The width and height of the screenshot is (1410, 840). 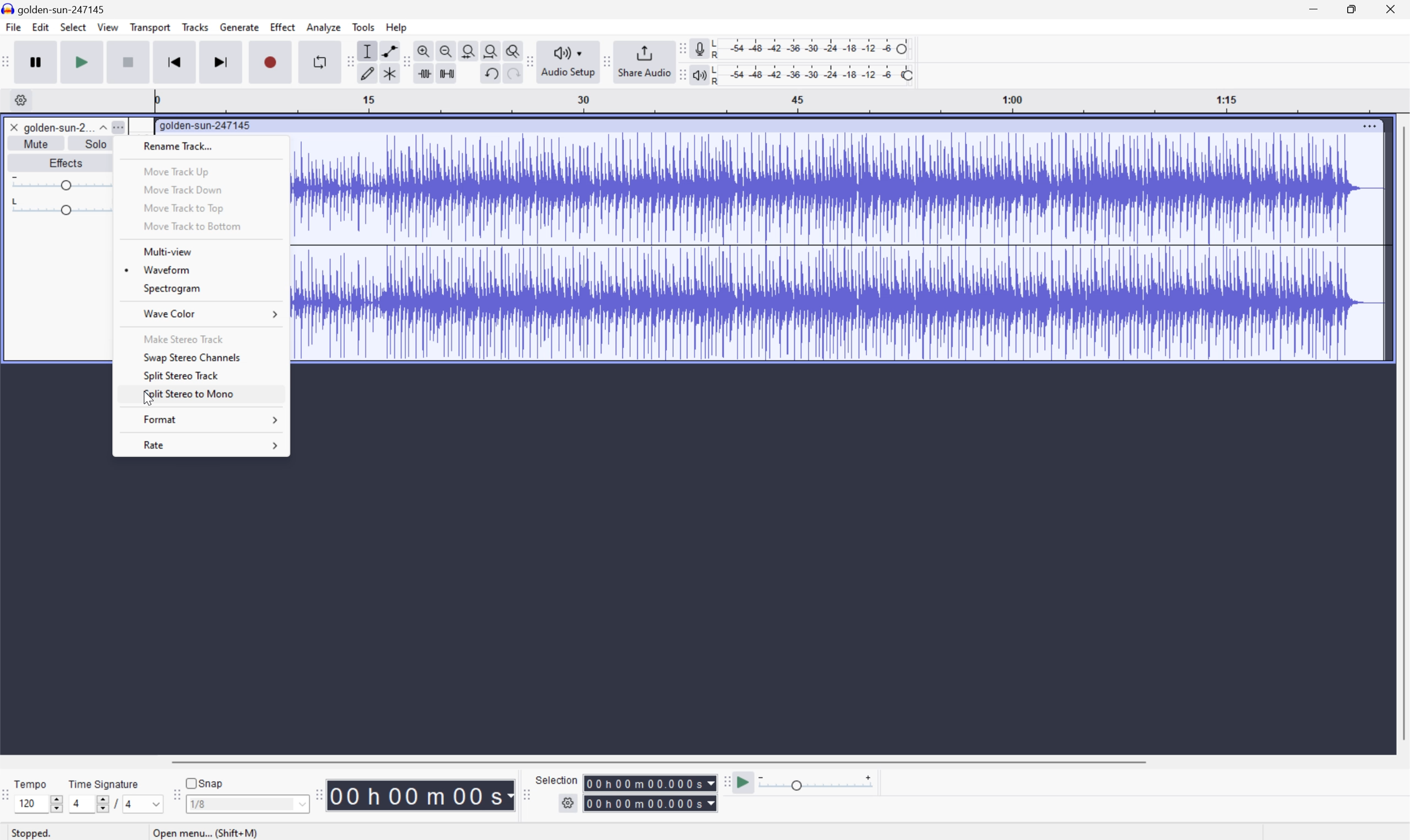 What do you see at coordinates (836, 246) in the screenshot?
I see `Audio` at bounding box center [836, 246].